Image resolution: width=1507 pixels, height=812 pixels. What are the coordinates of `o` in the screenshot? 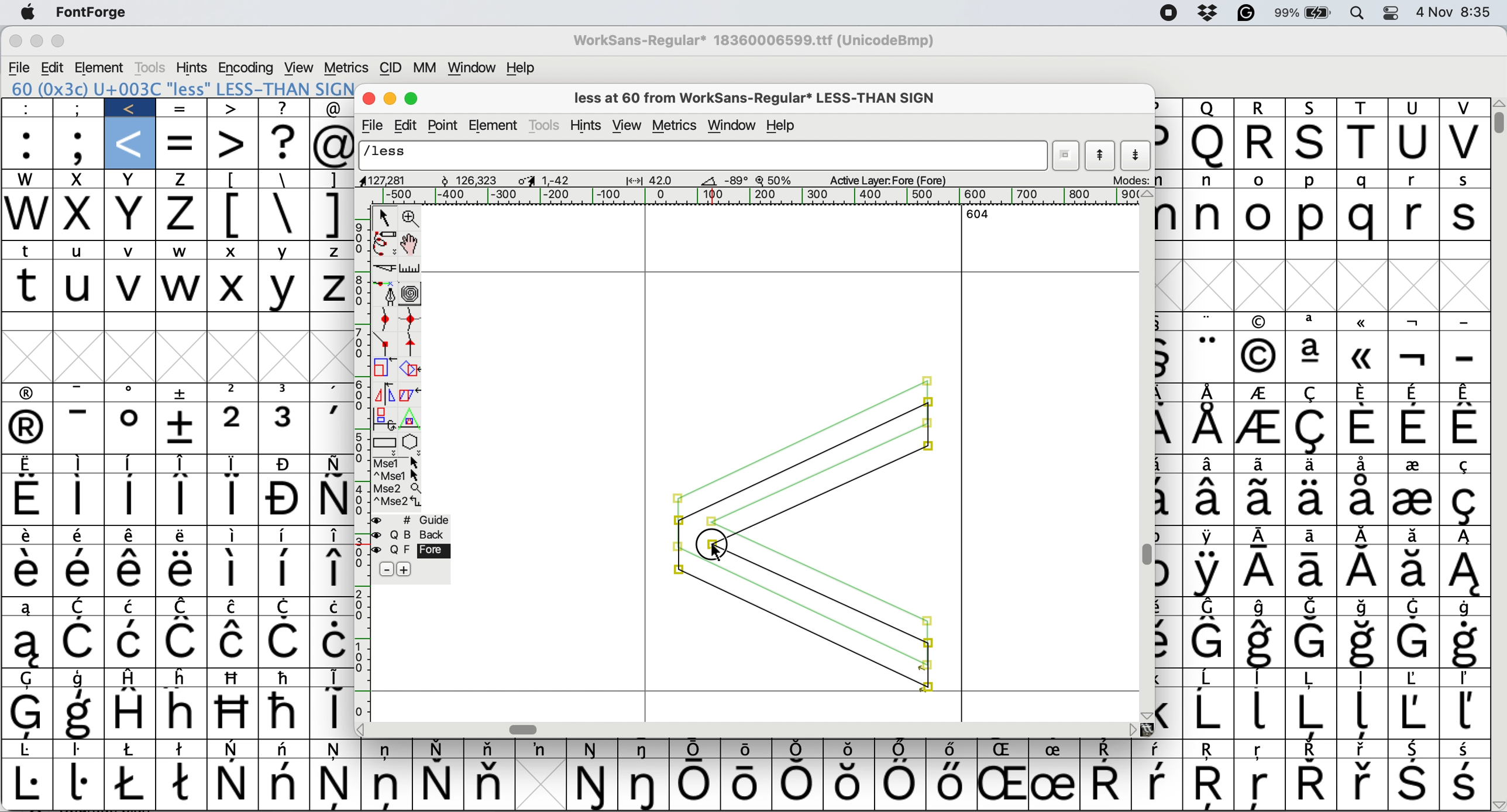 It's located at (1261, 215).